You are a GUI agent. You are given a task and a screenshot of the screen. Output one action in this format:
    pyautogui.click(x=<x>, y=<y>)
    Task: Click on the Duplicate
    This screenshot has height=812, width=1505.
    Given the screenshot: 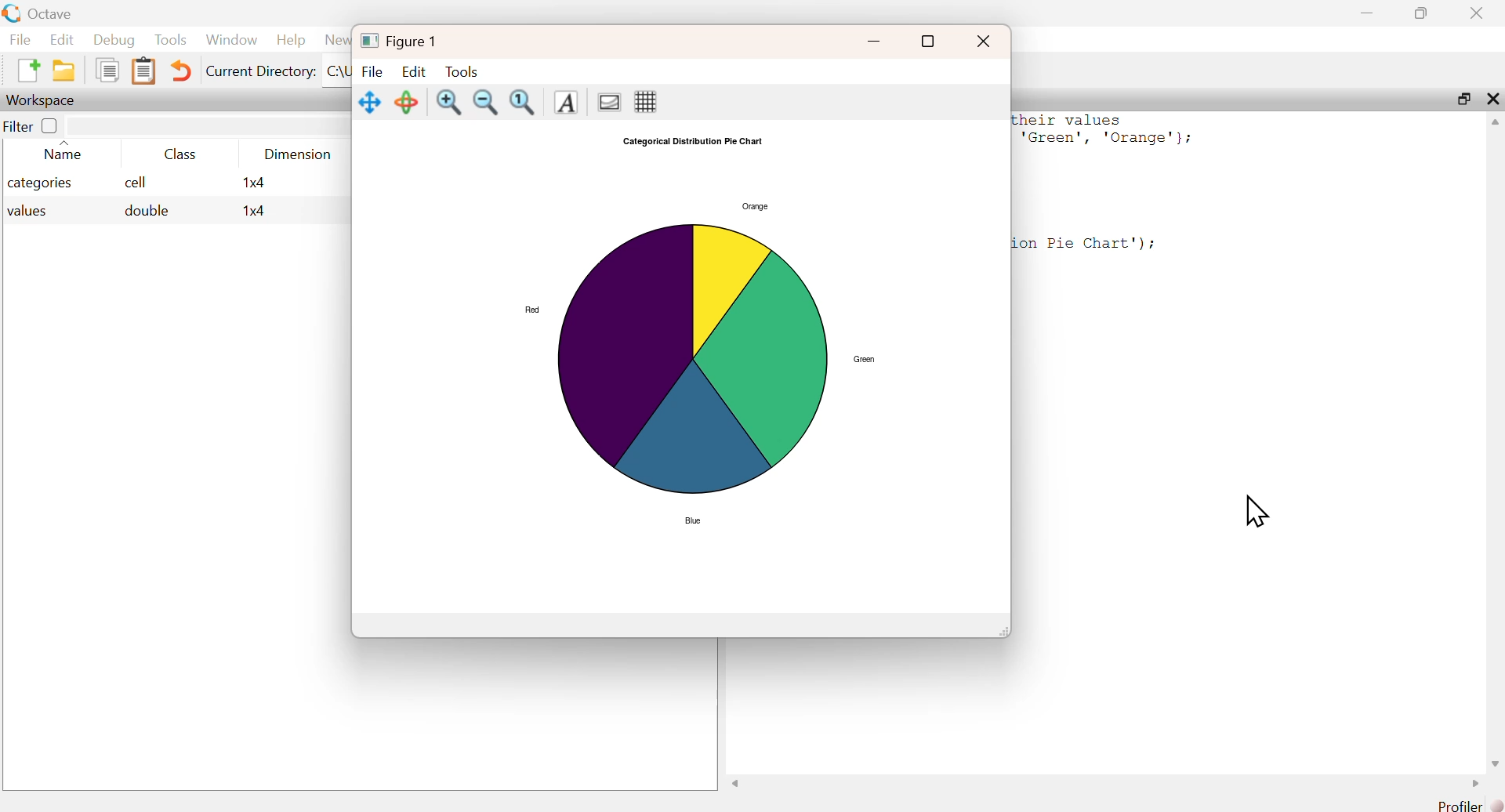 What is the action you would take?
    pyautogui.click(x=107, y=69)
    